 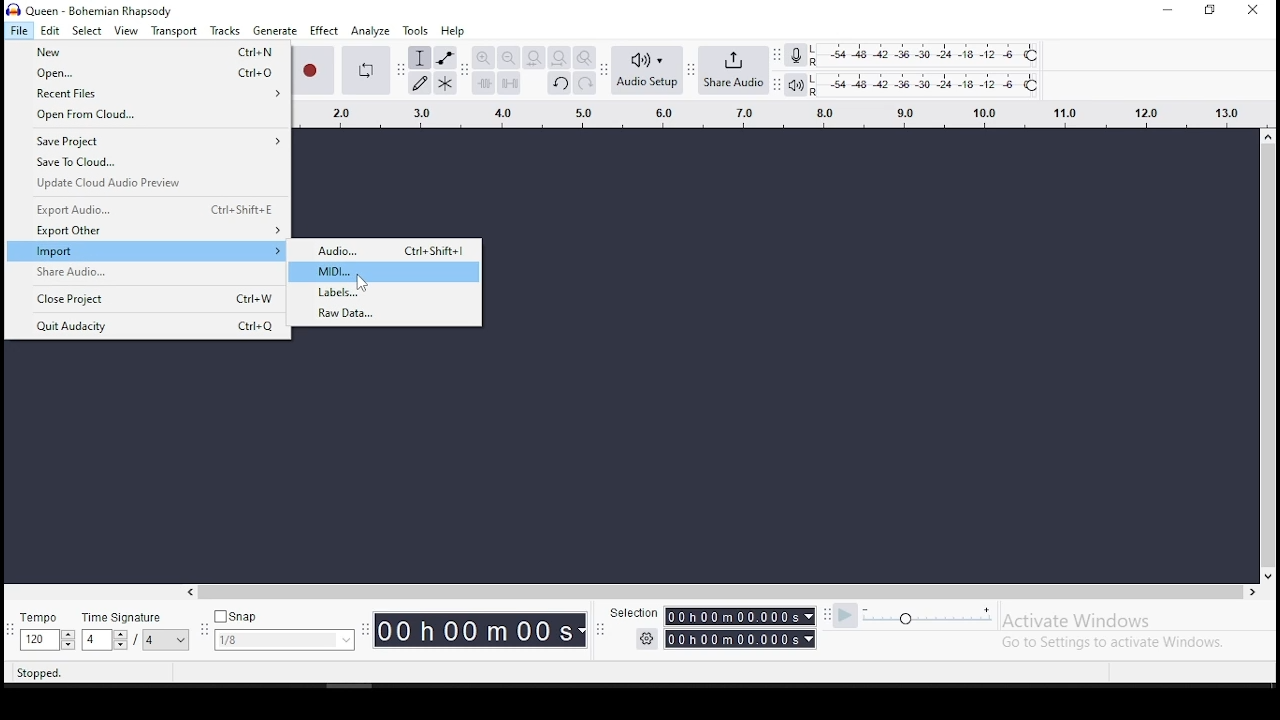 What do you see at coordinates (927, 85) in the screenshot?
I see `playback level` at bounding box center [927, 85].